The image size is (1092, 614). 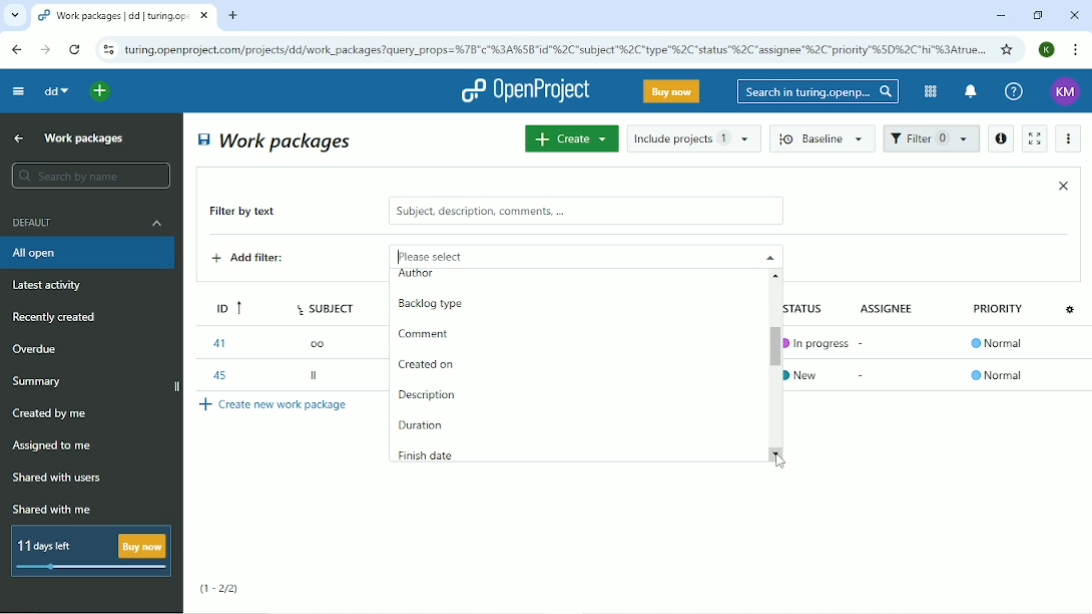 What do you see at coordinates (89, 551) in the screenshot?
I see `11 days left buy now` at bounding box center [89, 551].